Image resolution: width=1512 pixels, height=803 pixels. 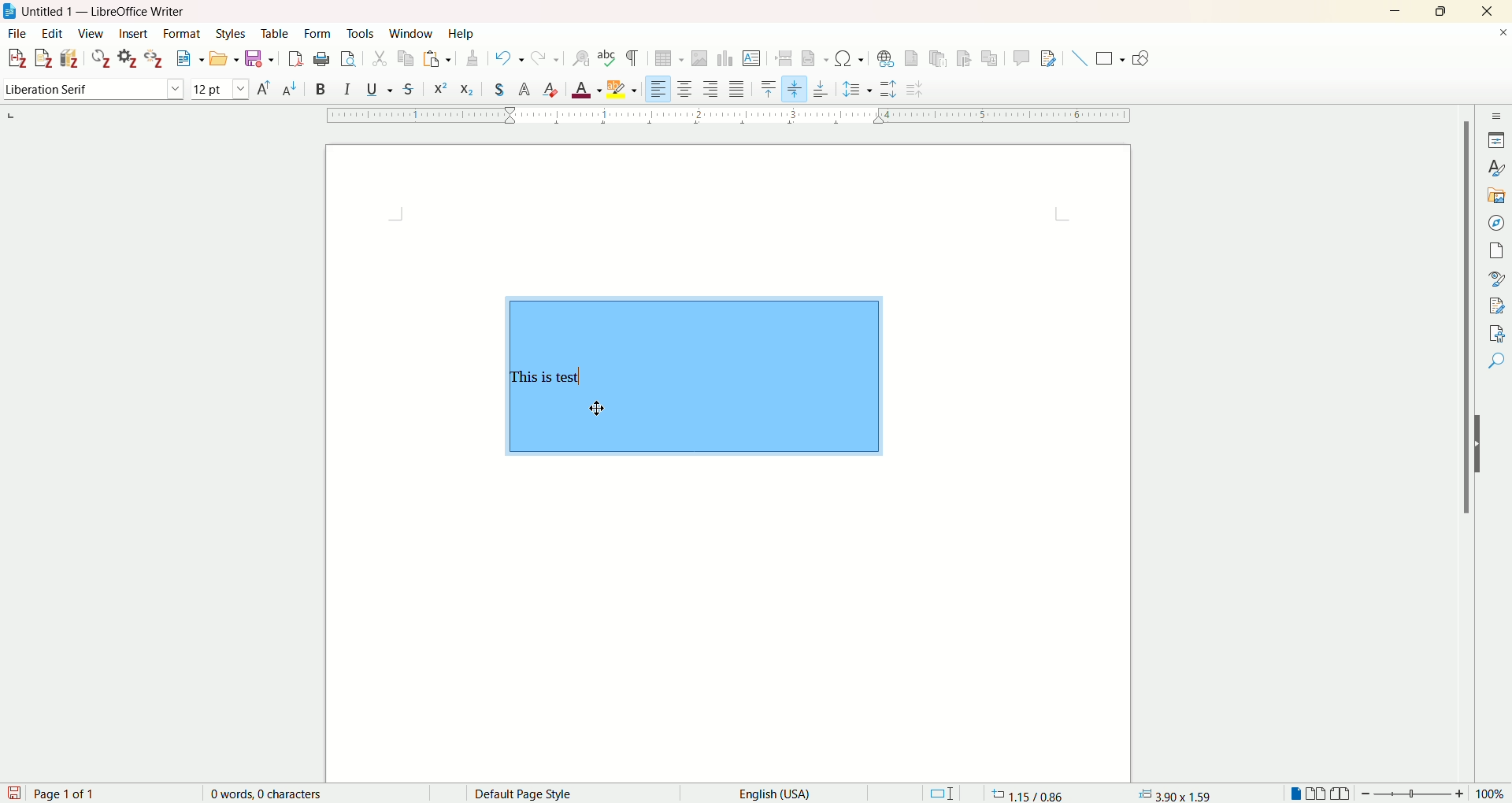 What do you see at coordinates (14, 793) in the screenshot?
I see `save` at bounding box center [14, 793].